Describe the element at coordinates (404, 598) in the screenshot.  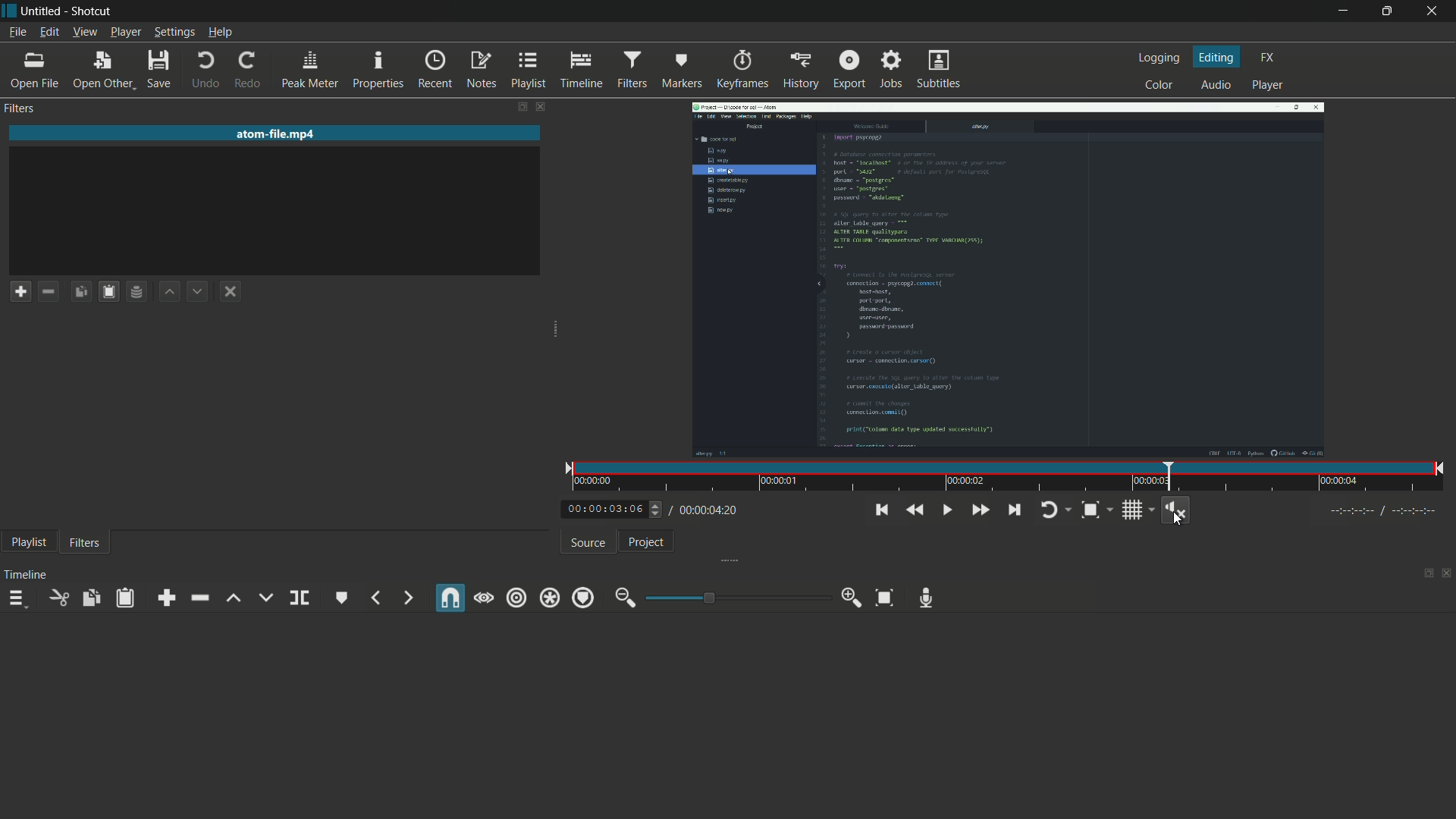
I see `forward` at that location.